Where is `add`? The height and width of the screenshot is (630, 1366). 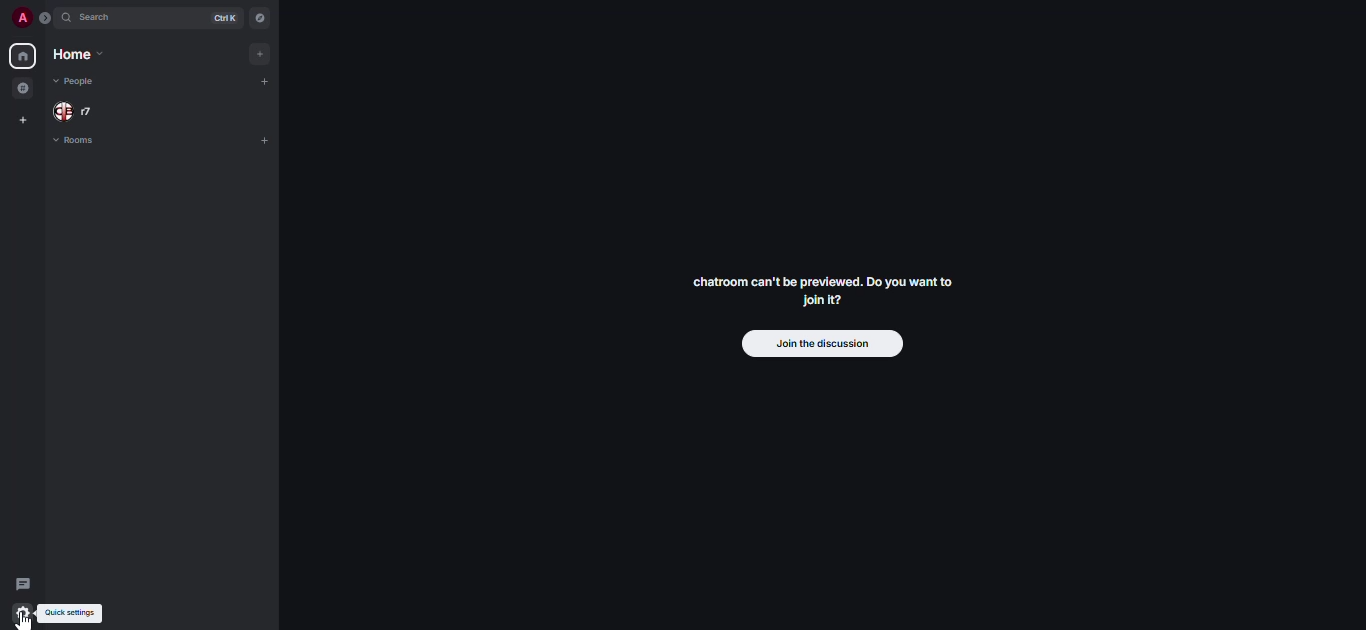 add is located at coordinates (265, 81).